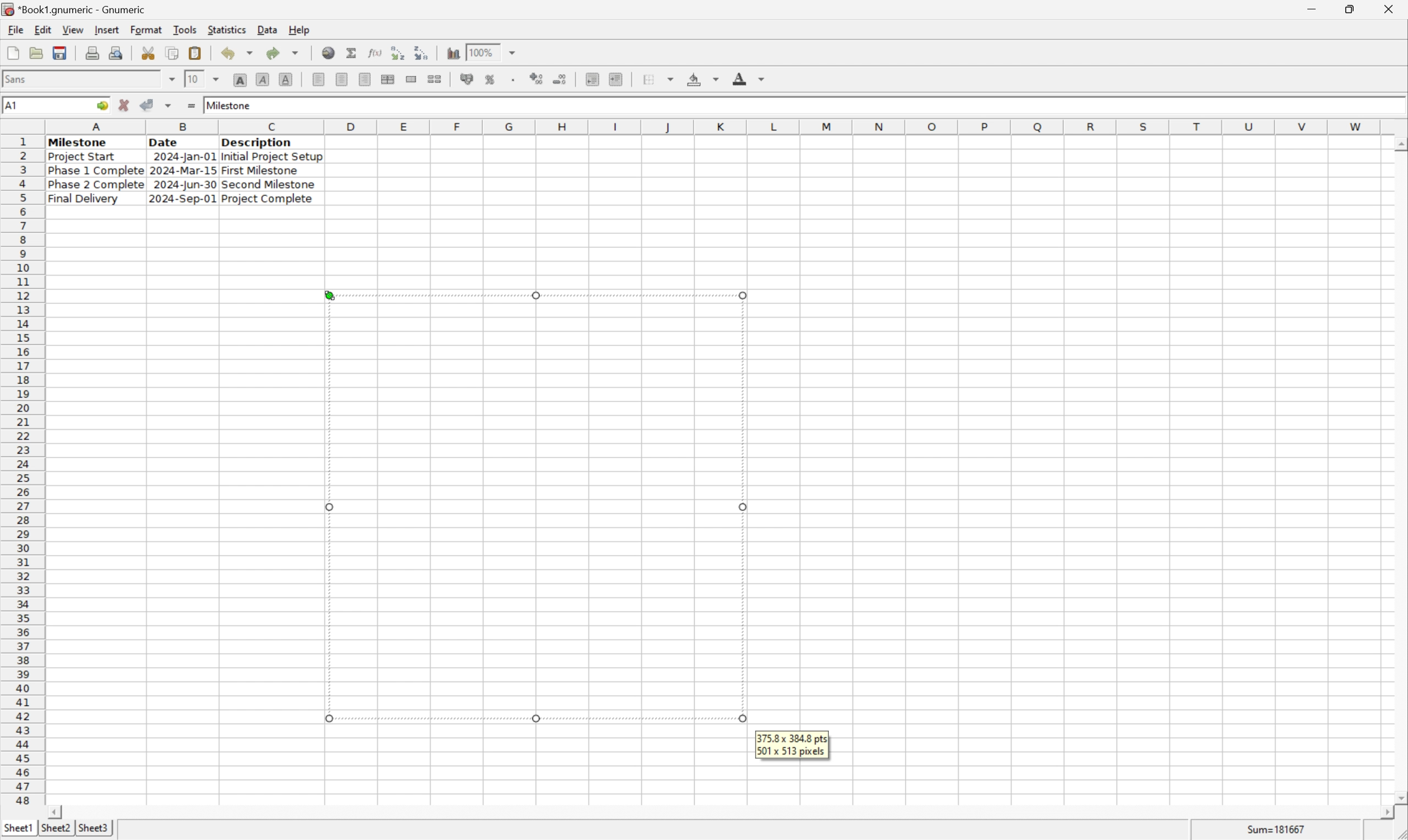 This screenshot has width=1408, height=840. Describe the element at coordinates (286, 79) in the screenshot. I see `underline` at that location.